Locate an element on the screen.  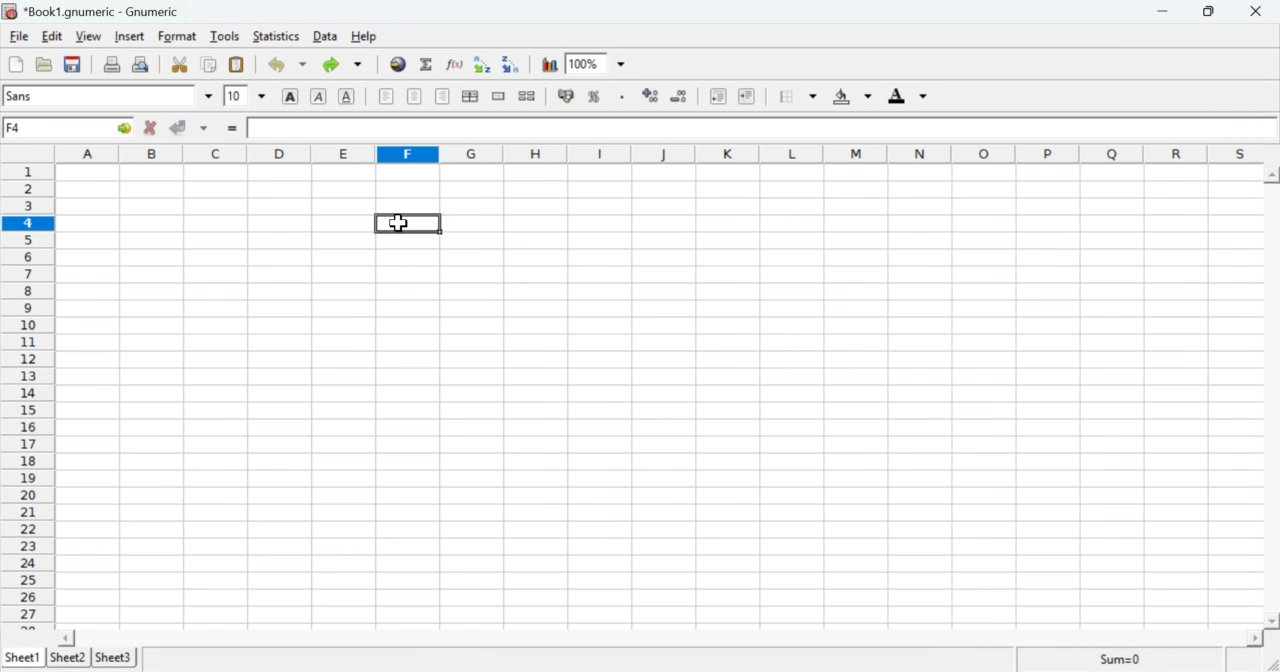
Edit is located at coordinates (52, 37).